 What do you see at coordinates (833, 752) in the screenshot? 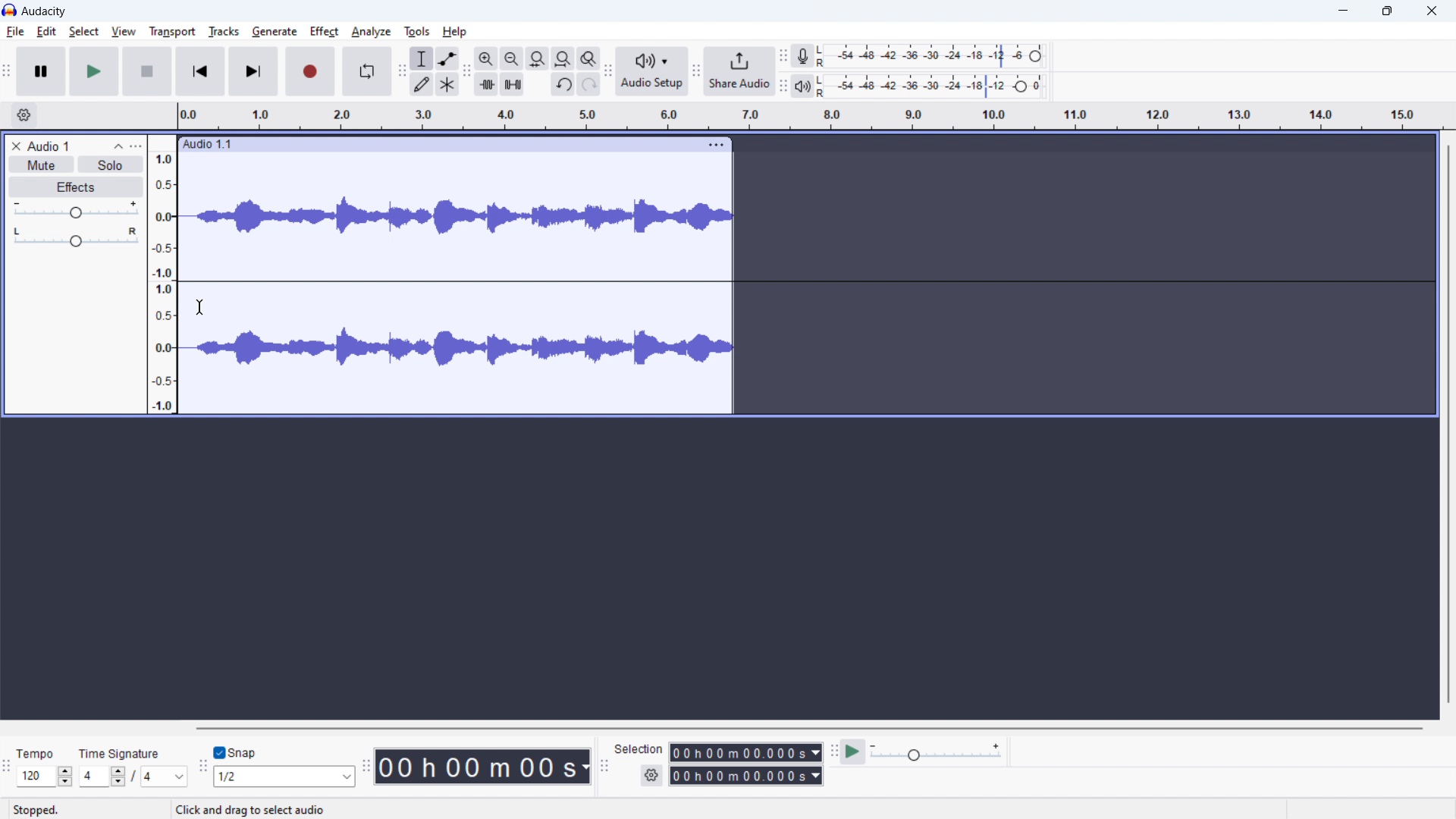
I see `play at speed toolbar` at bounding box center [833, 752].